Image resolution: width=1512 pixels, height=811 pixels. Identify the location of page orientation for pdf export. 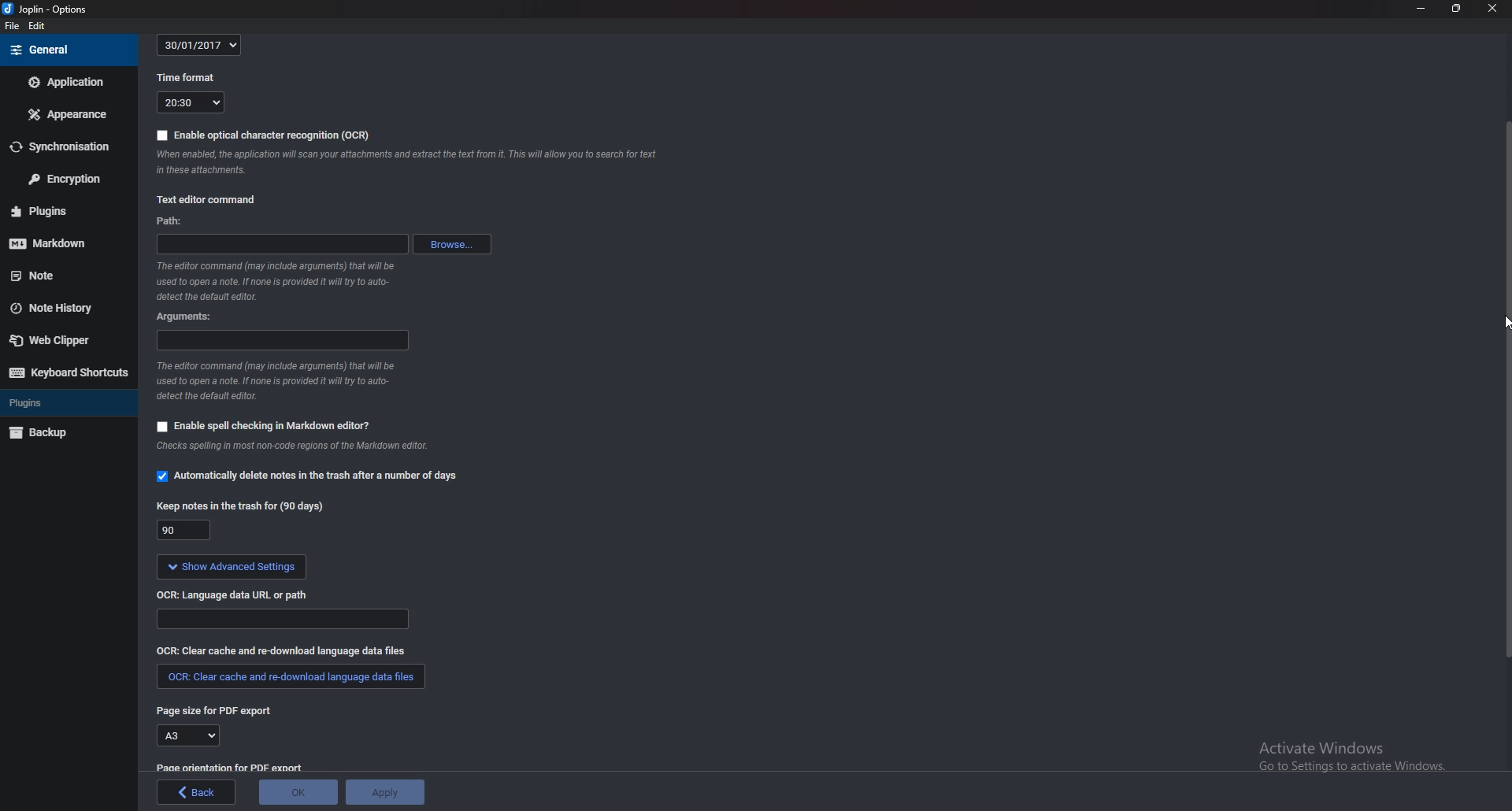
(228, 768).